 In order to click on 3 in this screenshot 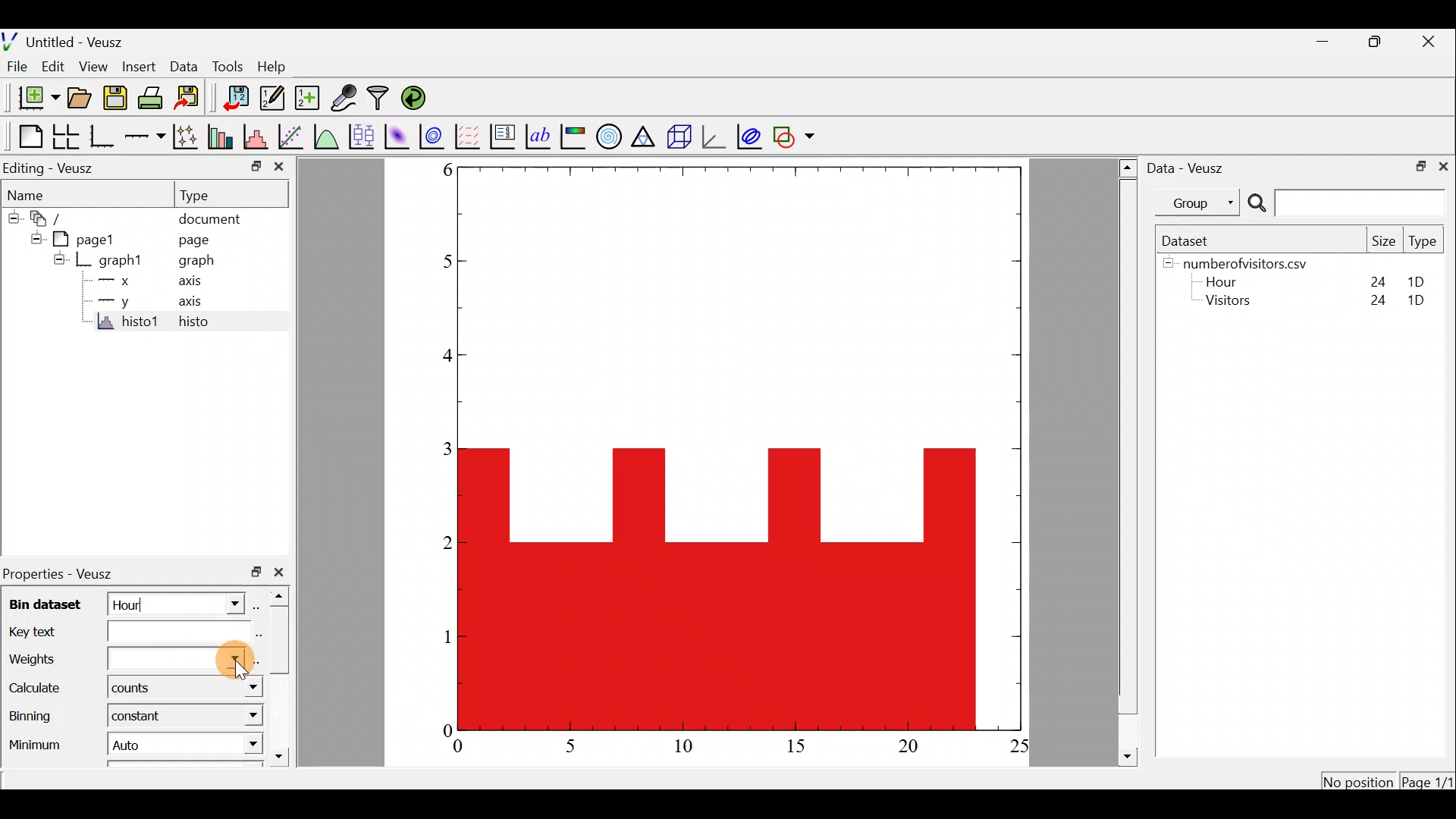, I will do `click(441, 447)`.